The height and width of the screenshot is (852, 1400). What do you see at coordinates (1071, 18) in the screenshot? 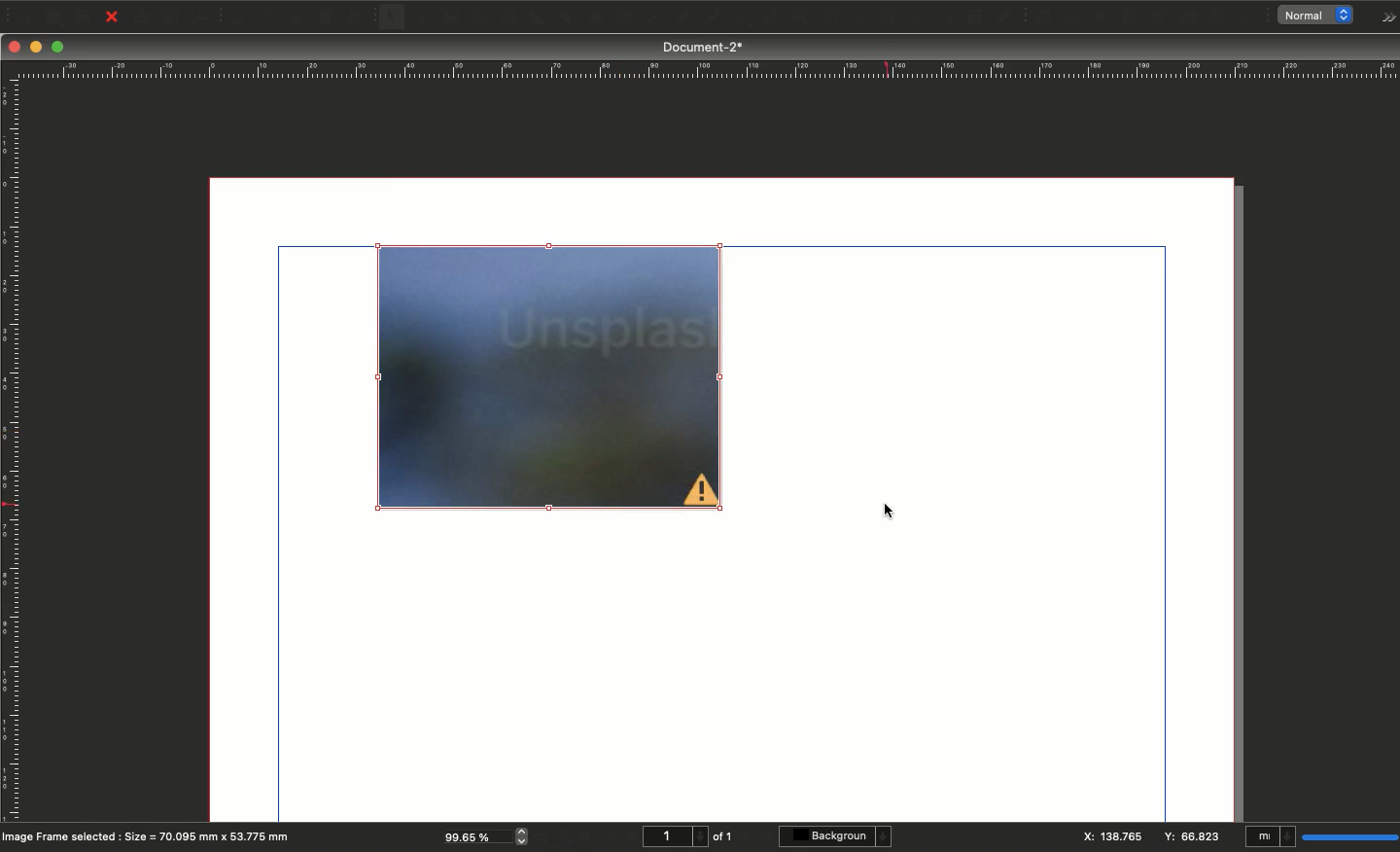
I see `PDF check box` at bounding box center [1071, 18].